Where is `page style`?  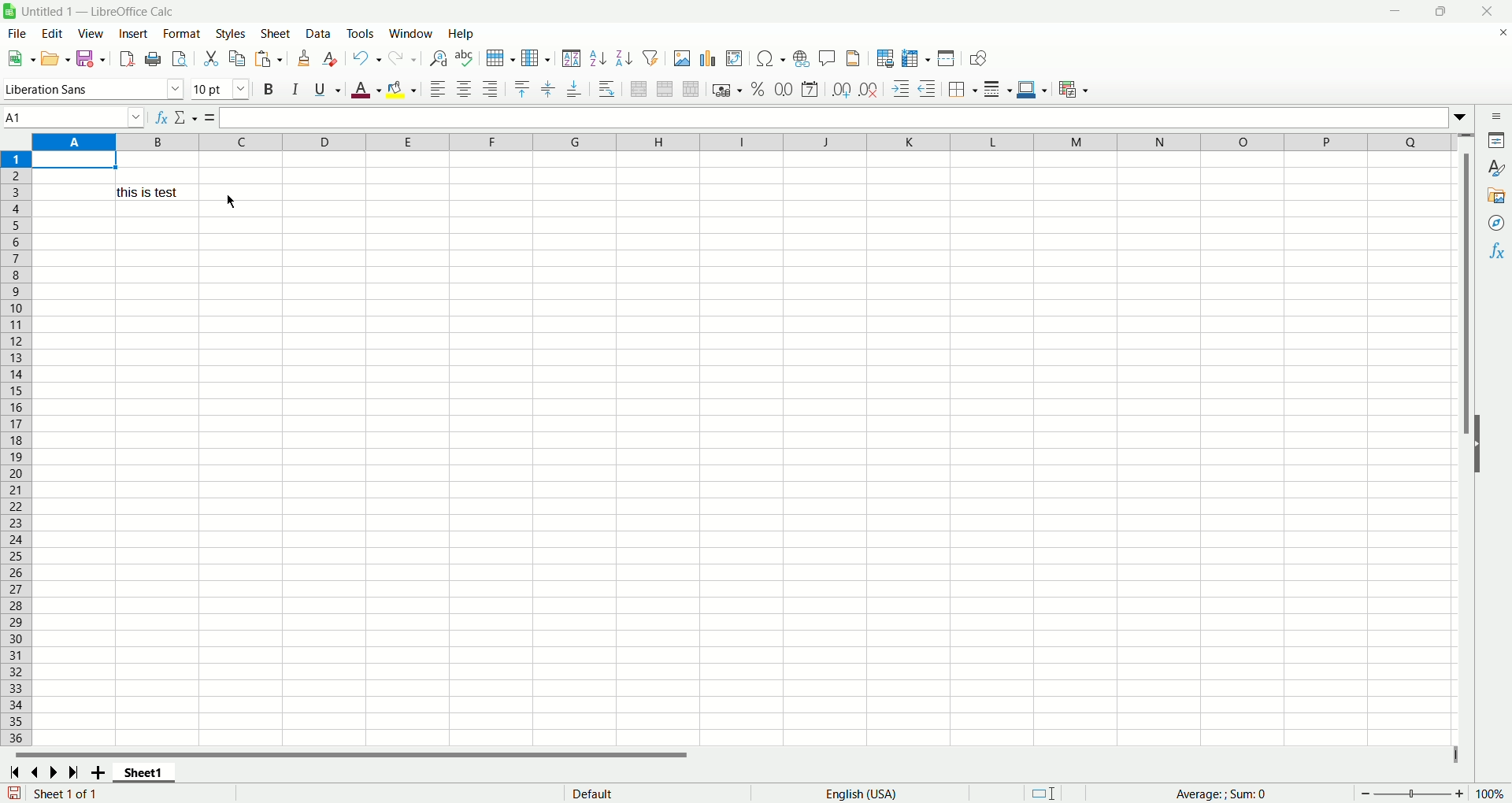
page style is located at coordinates (593, 793).